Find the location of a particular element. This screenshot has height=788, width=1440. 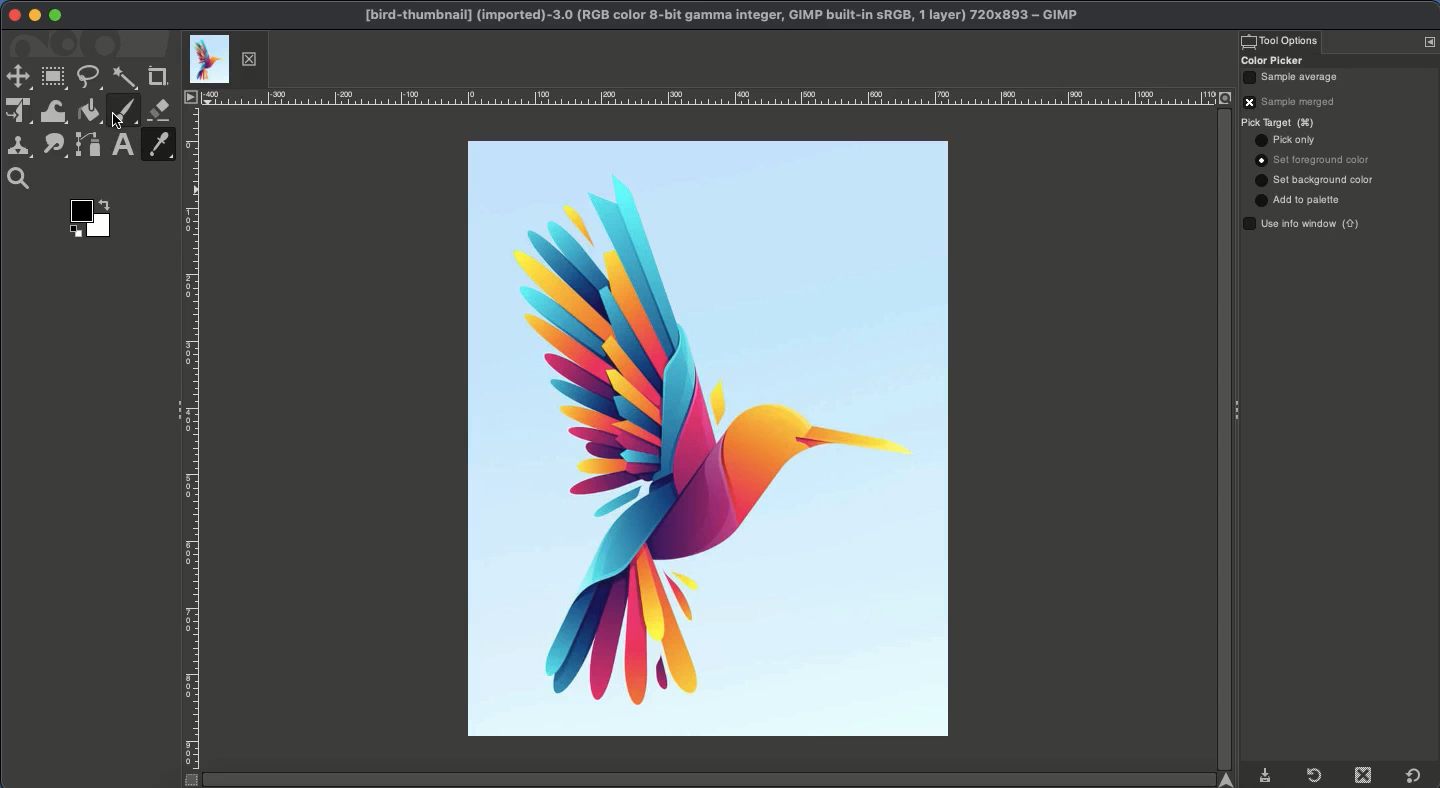

Pick only is located at coordinates (1287, 140).